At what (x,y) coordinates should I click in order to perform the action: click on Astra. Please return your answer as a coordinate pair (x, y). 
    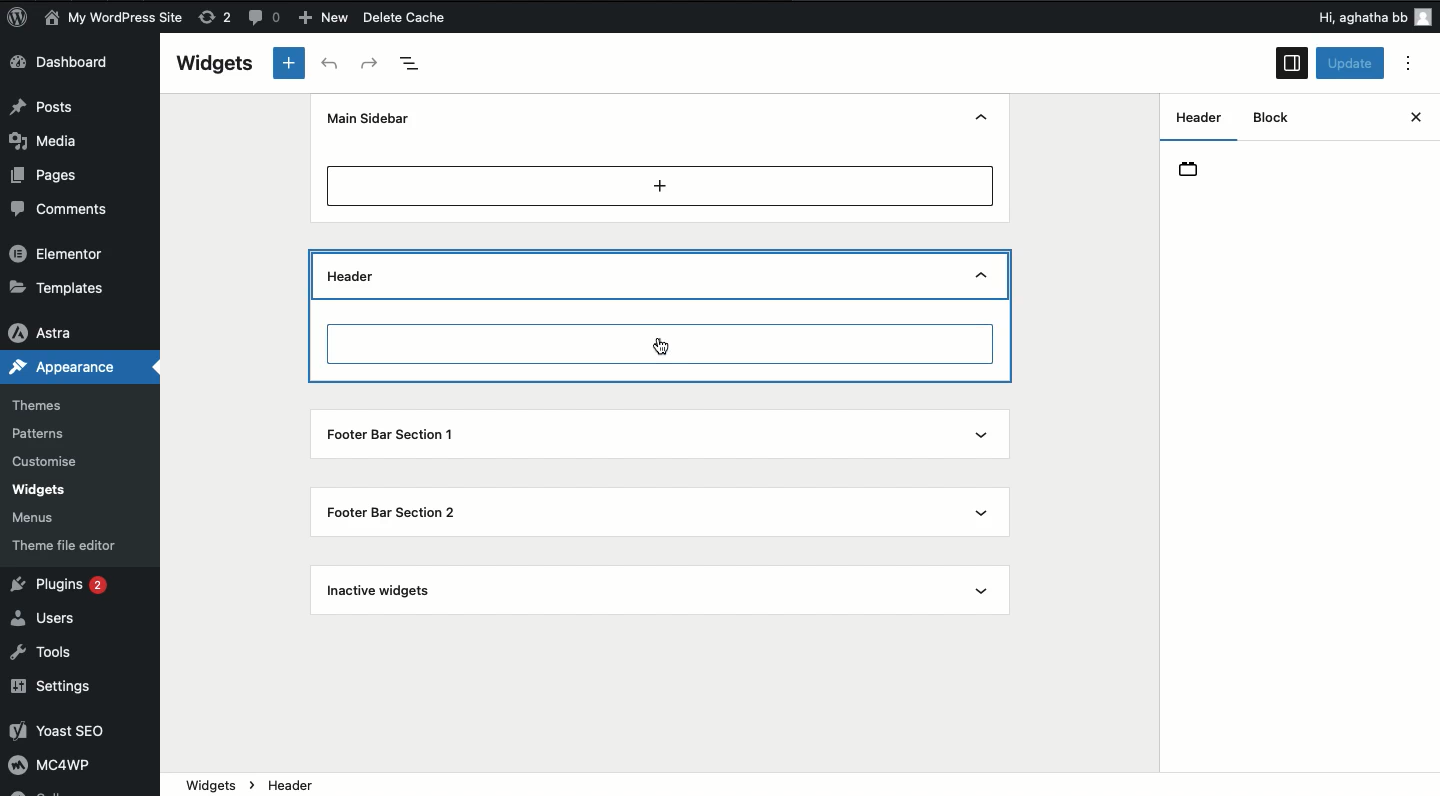
    Looking at the image, I should click on (50, 328).